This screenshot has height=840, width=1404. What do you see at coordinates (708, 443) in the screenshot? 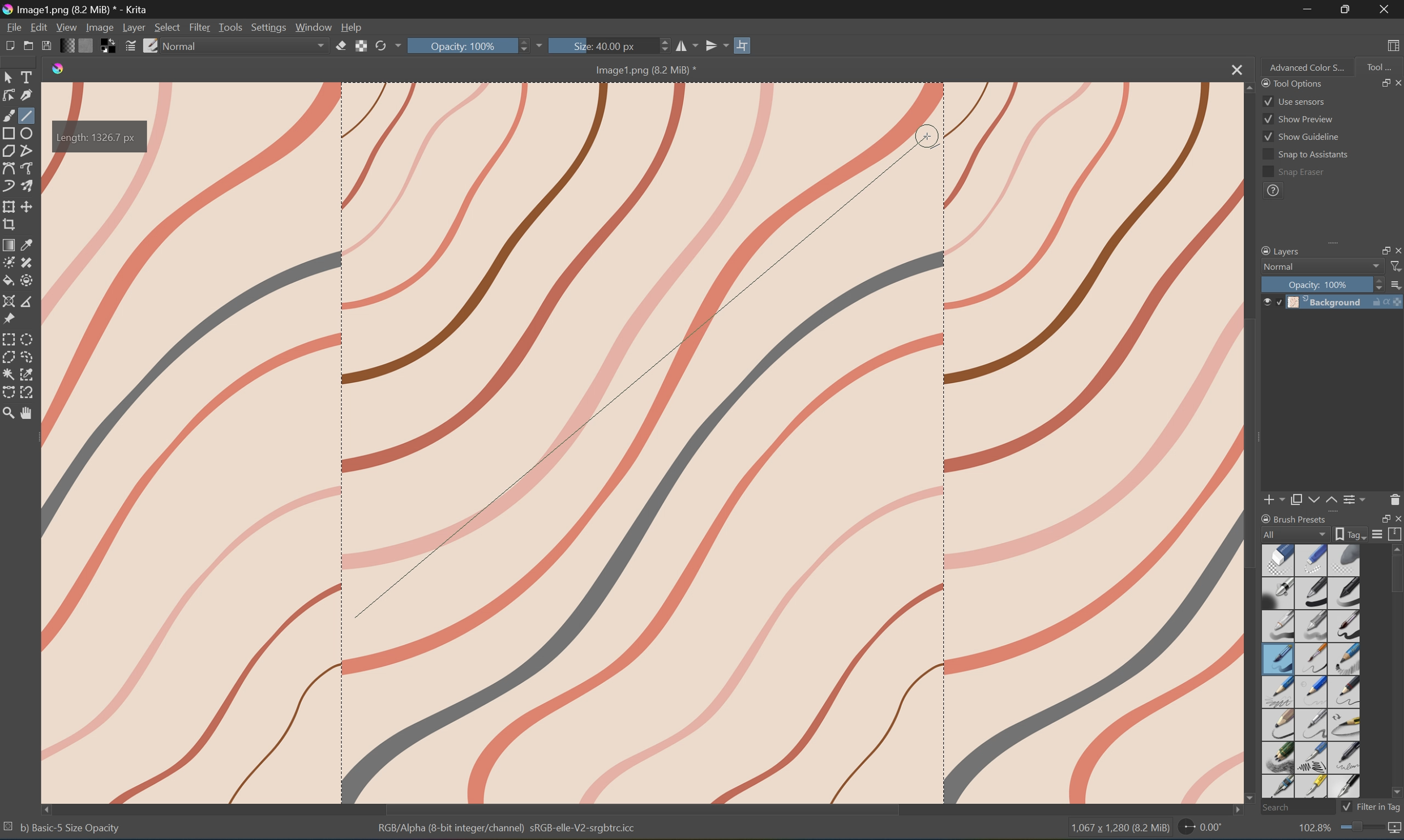
I see `Image` at bounding box center [708, 443].